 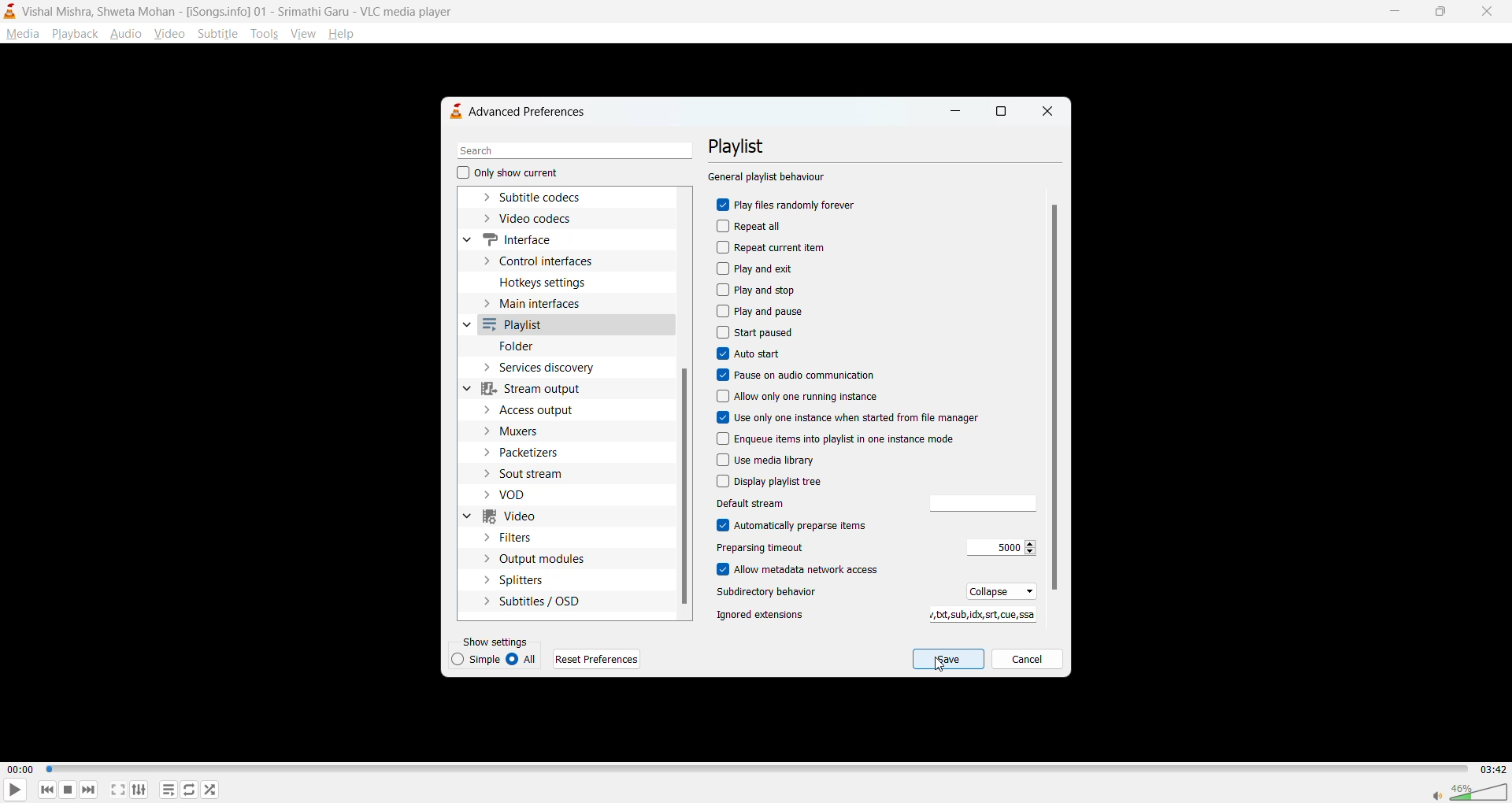 What do you see at coordinates (218, 33) in the screenshot?
I see `subtitle` at bounding box center [218, 33].